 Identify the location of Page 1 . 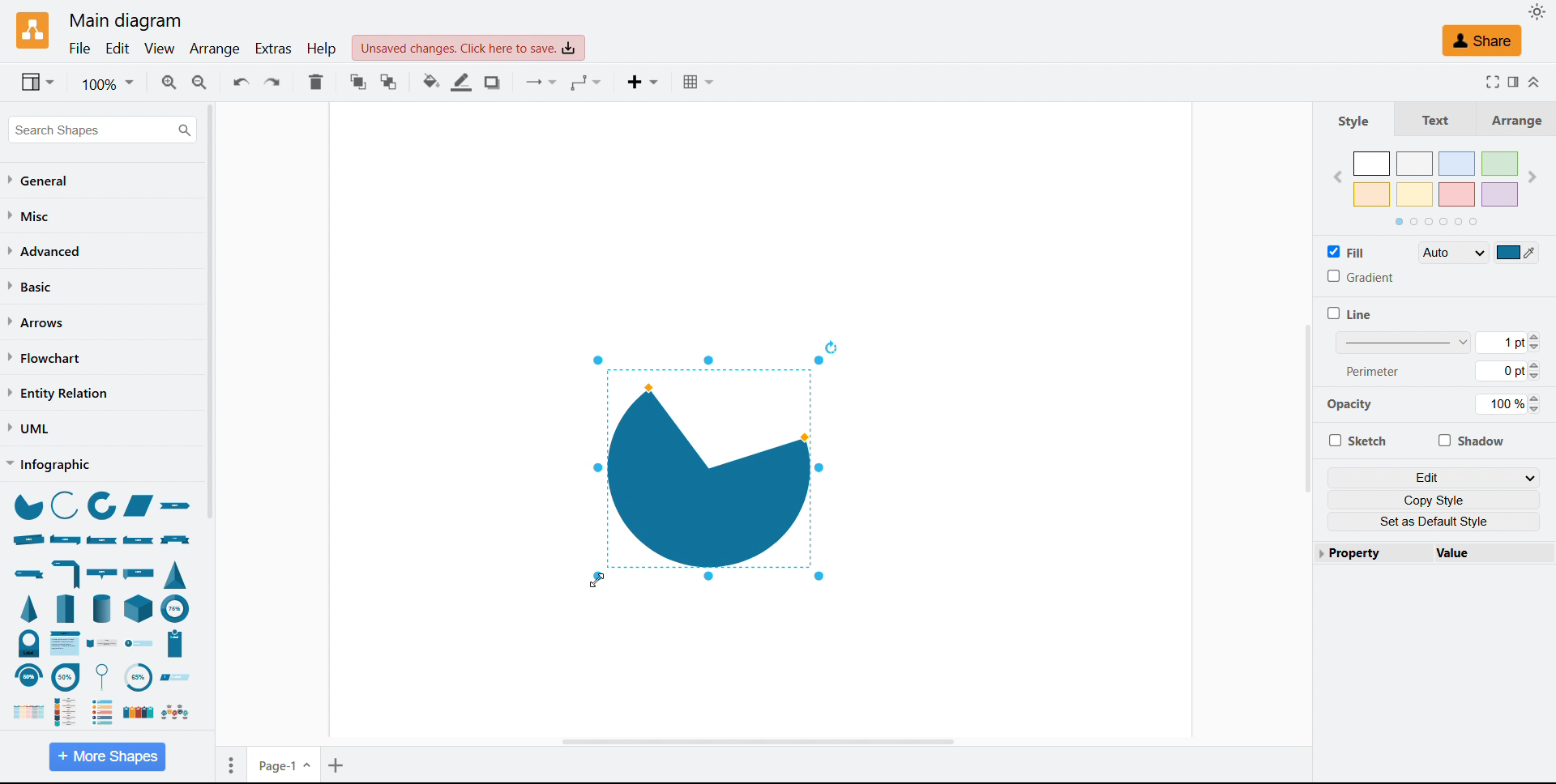
(285, 764).